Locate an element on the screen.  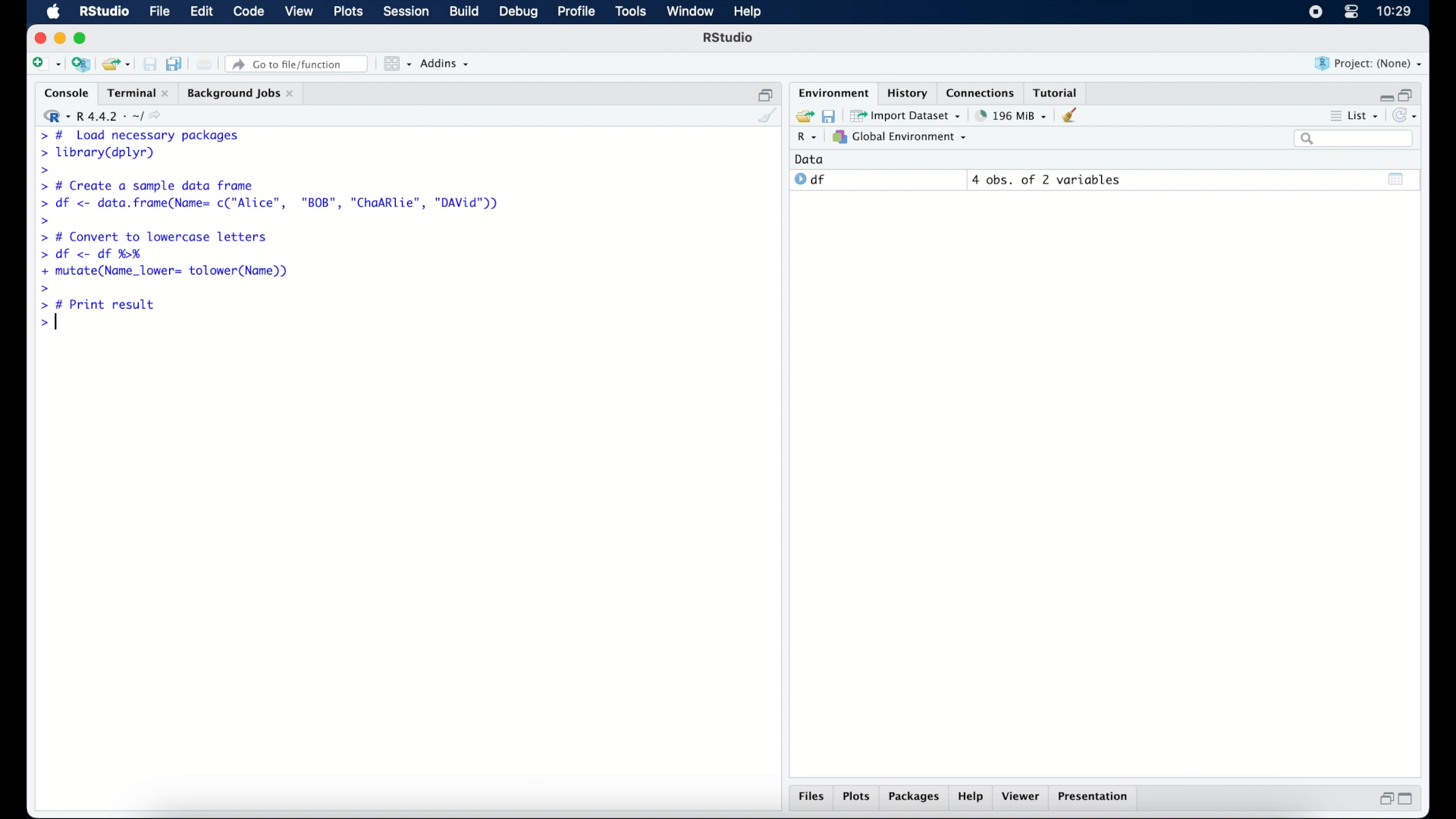
help is located at coordinates (971, 799).